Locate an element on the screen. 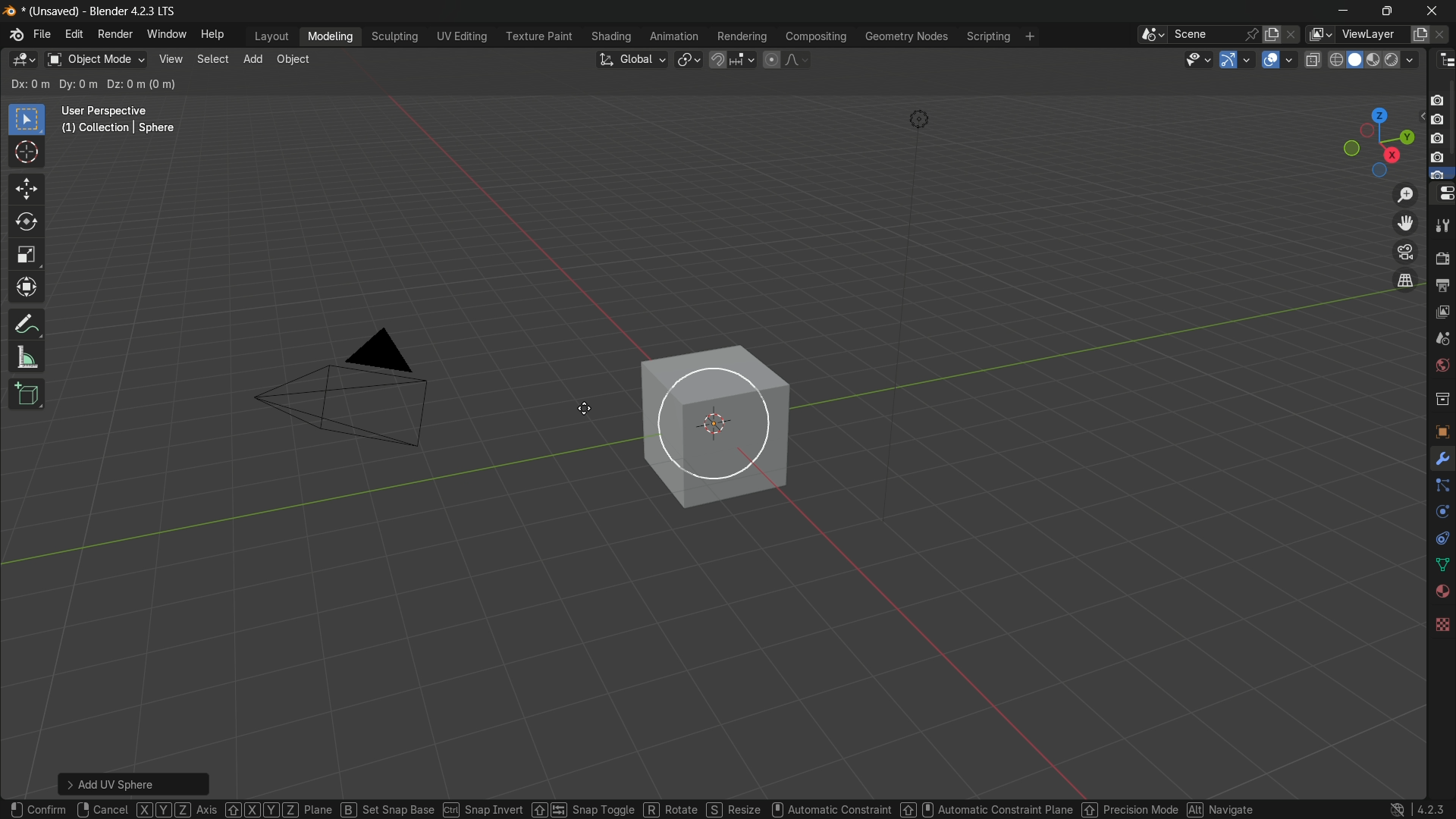 This screenshot has height=819, width=1456. texture is located at coordinates (1442, 434).